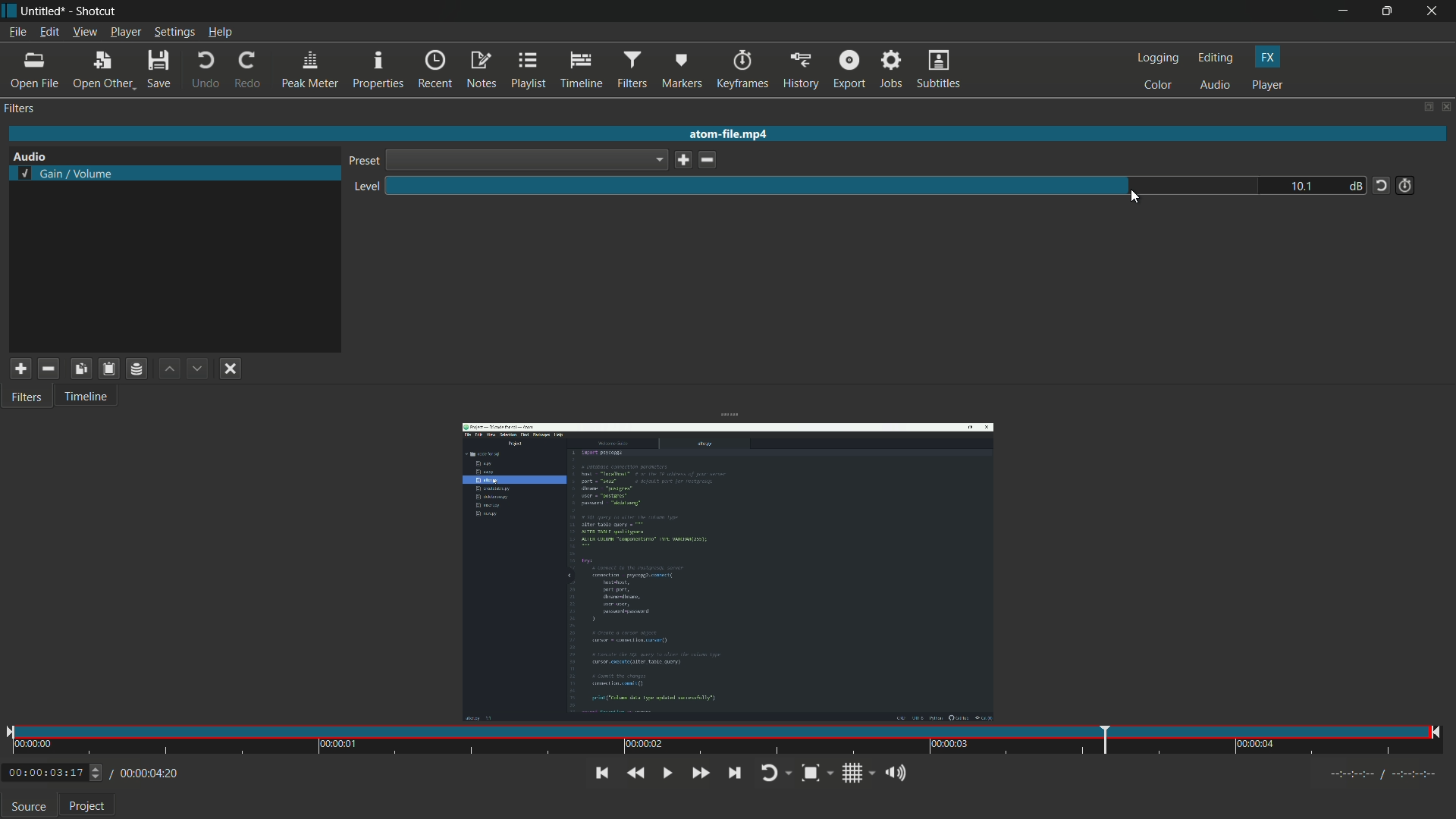 This screenshot has width=1456, height=819. I want to click on move filter down, so click(199, 369).